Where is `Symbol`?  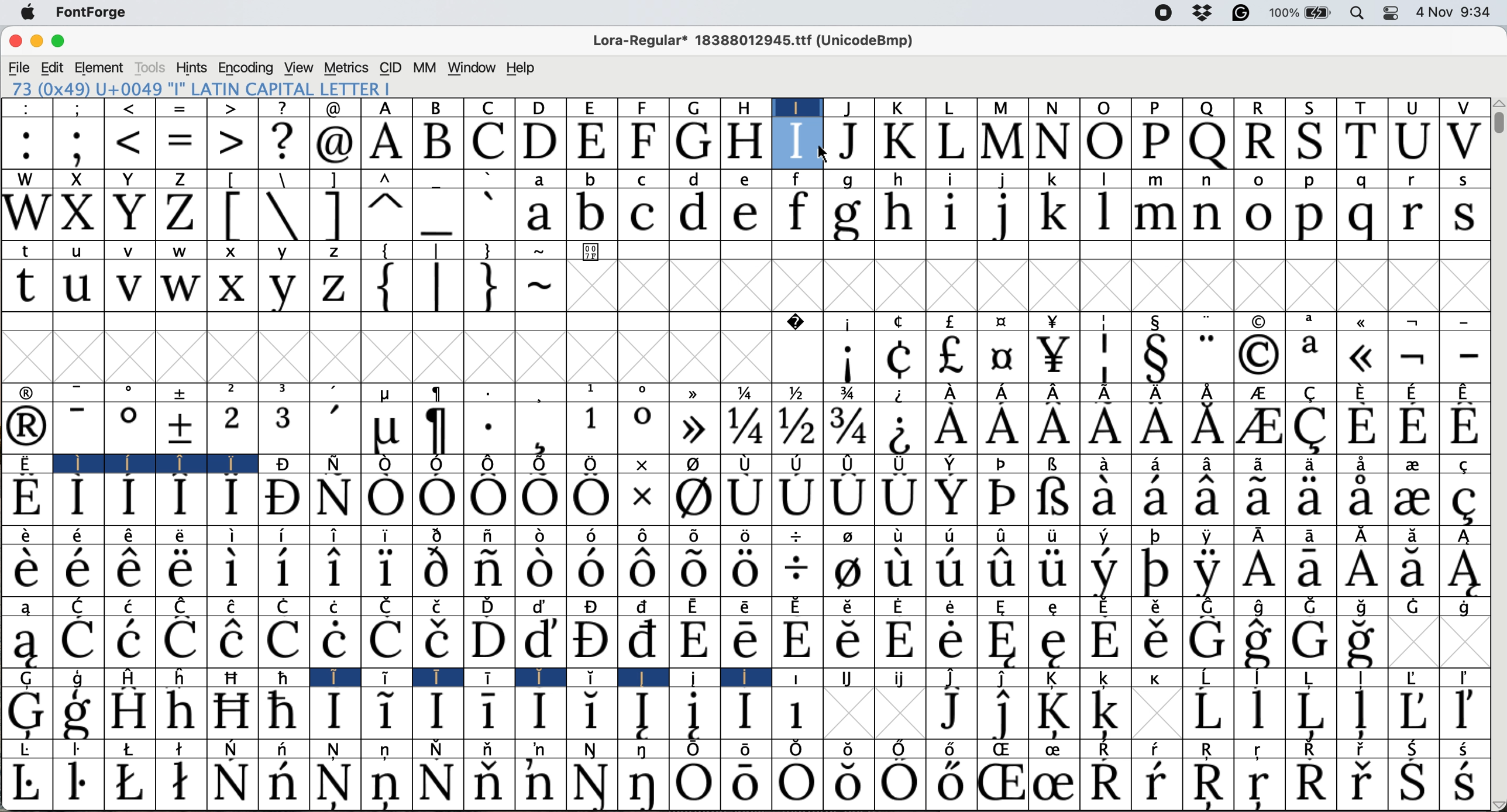
Symbol is located at coordinates (799, 677).